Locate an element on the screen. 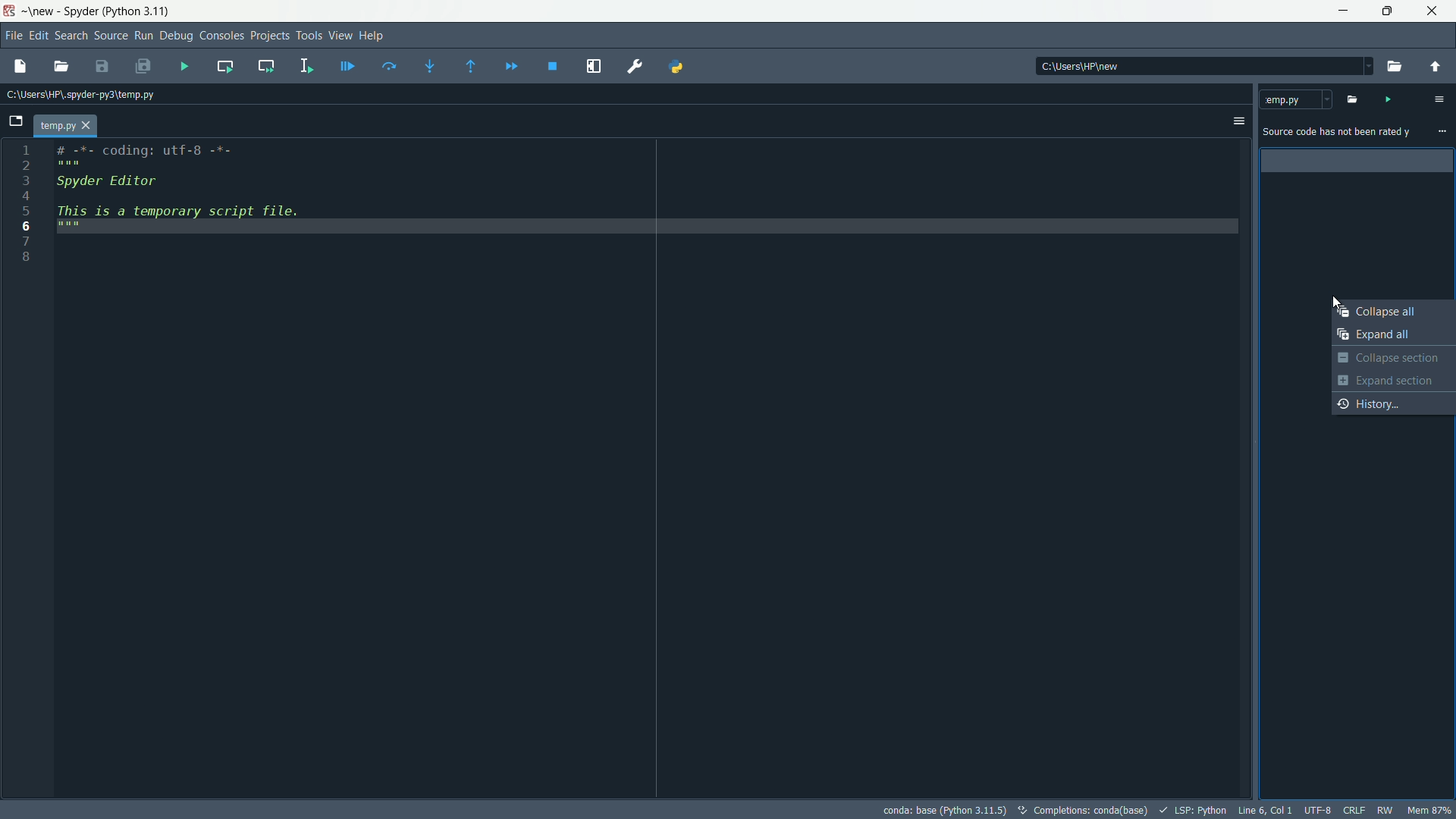 The height and width of the screenshot is (819, 1456). run menu is located at coordinates (143, 37).